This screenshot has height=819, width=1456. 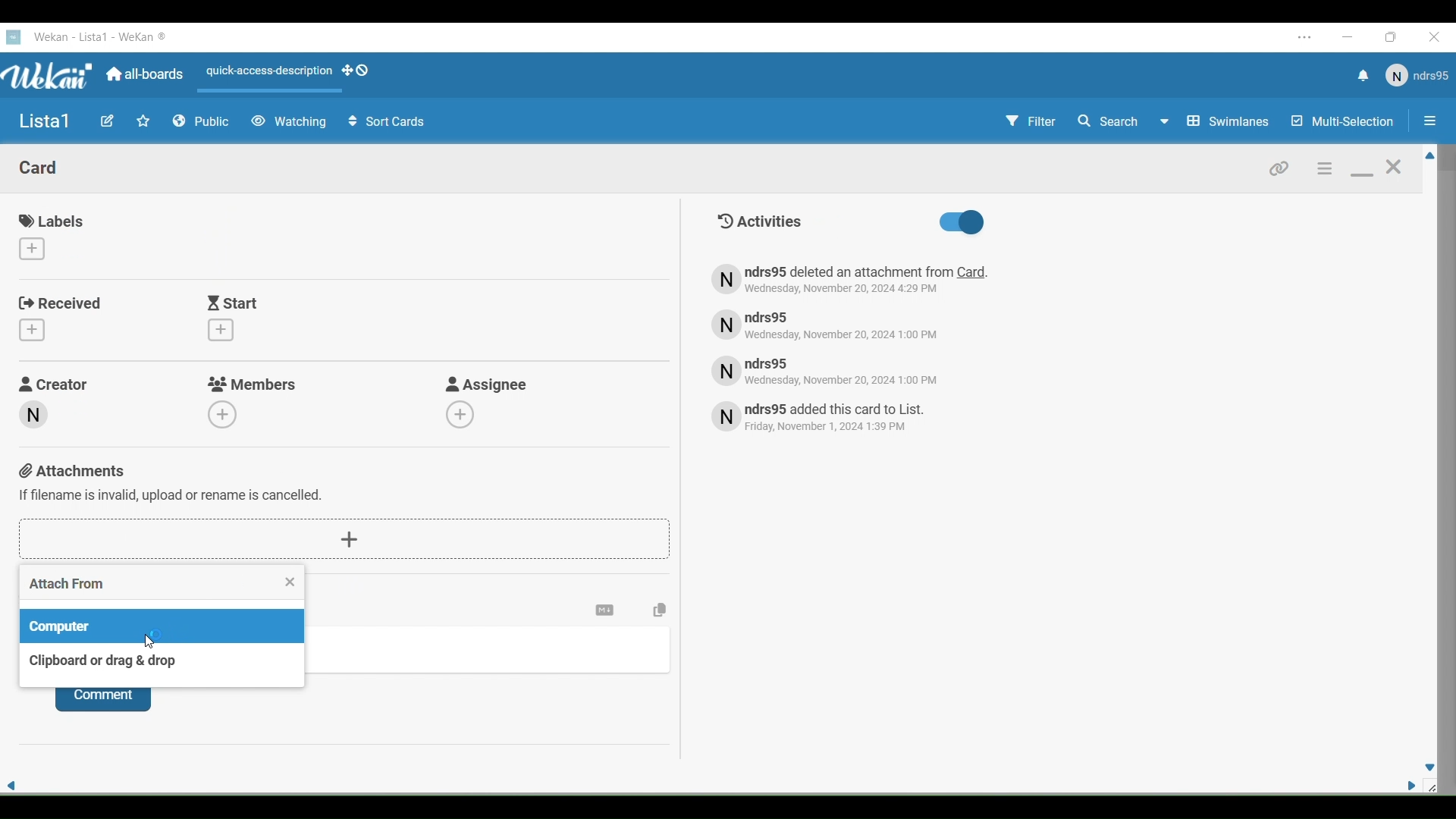 I want to click on Settings, so click(x=604, y=610).